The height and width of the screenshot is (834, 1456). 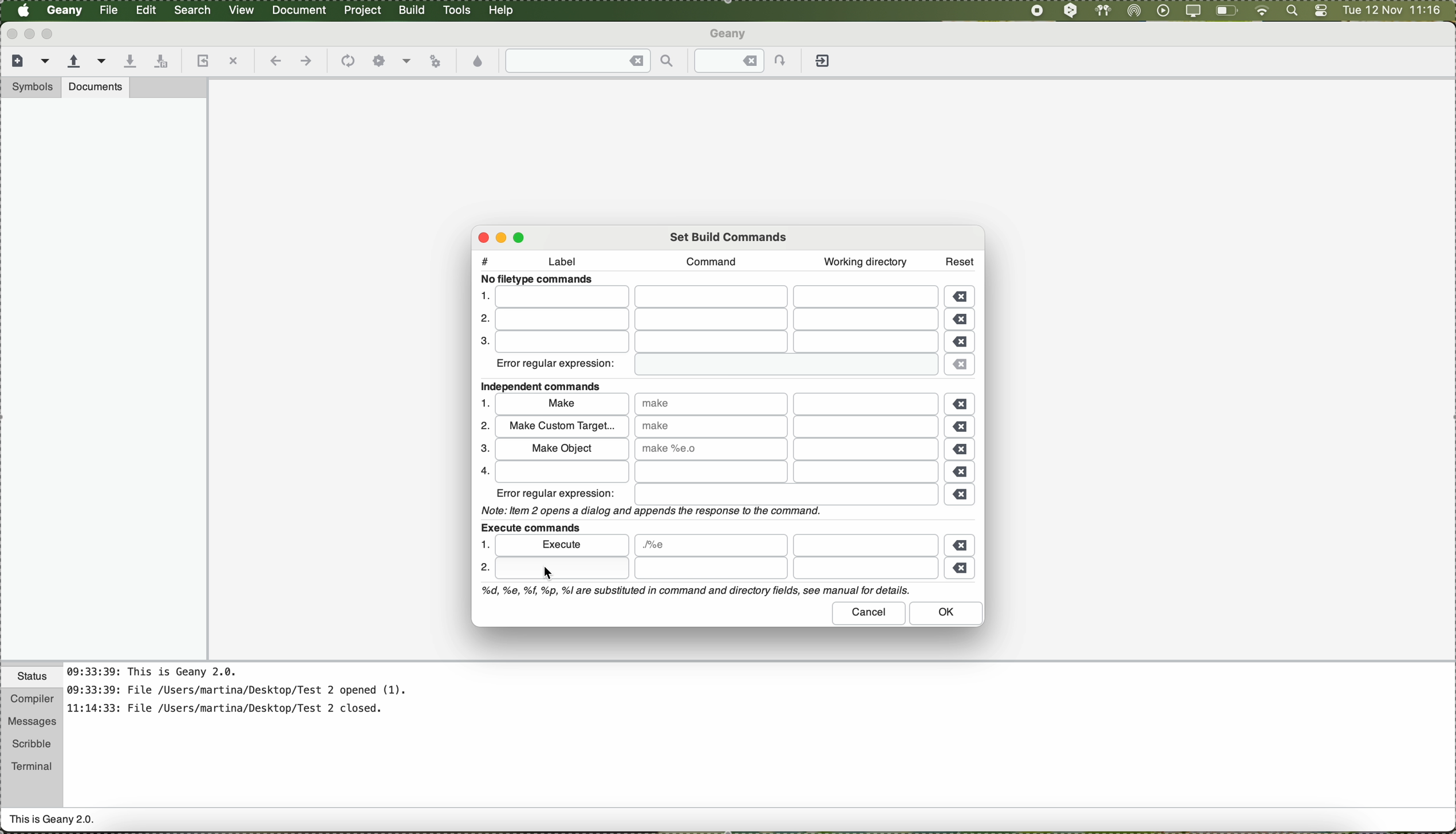 What do you see at coordinates (479, 237) in the screenshot?
I see `close pop-up` at bounding box center [479, 237].